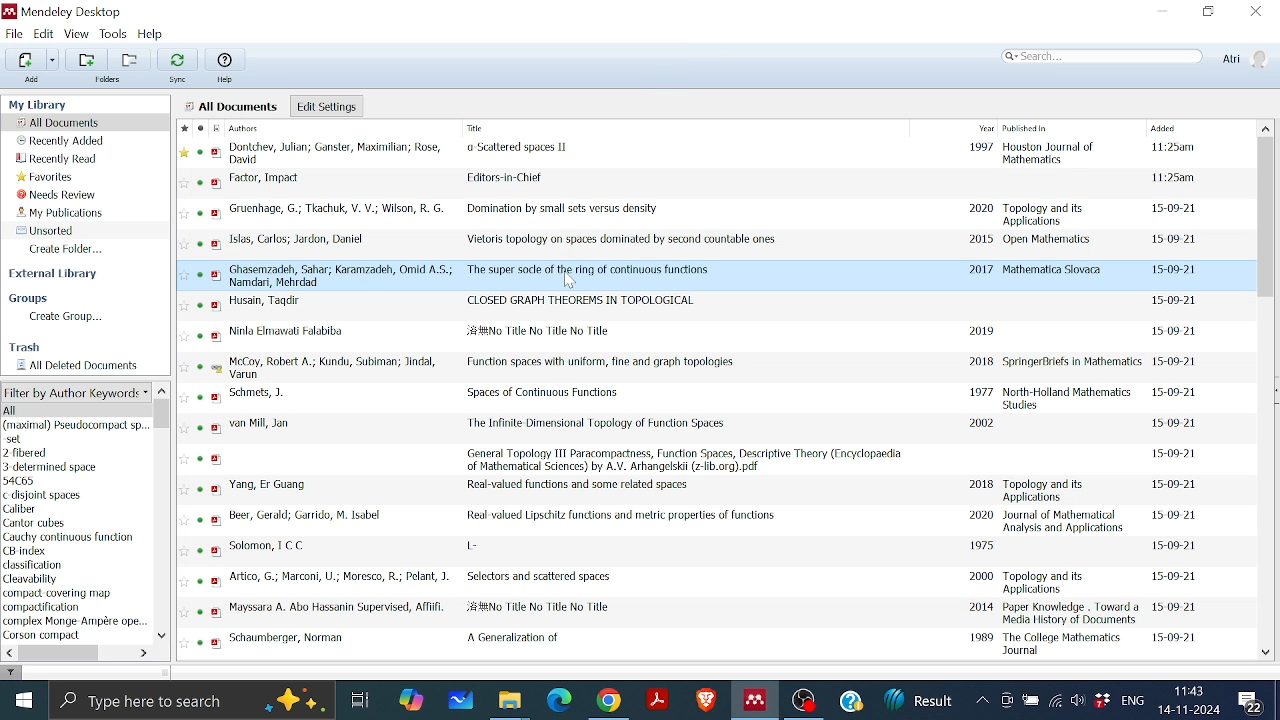 This screenshot has height=720, width=1280. I want to click on Help, so click(850, 701).